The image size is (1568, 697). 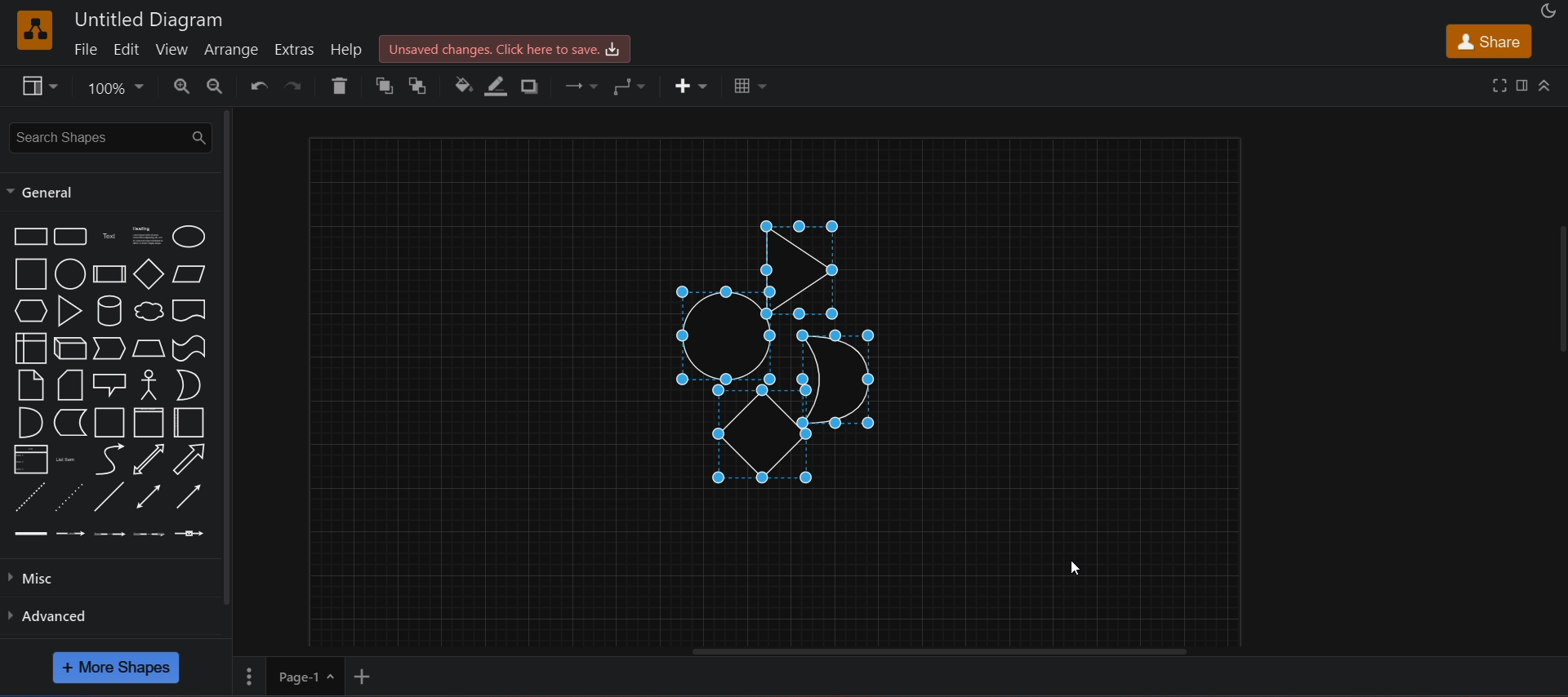 What do you see at coordinates (150, 459) in the screenshot?
I see `bidirectional arrow` at bounding box center [150, 459].